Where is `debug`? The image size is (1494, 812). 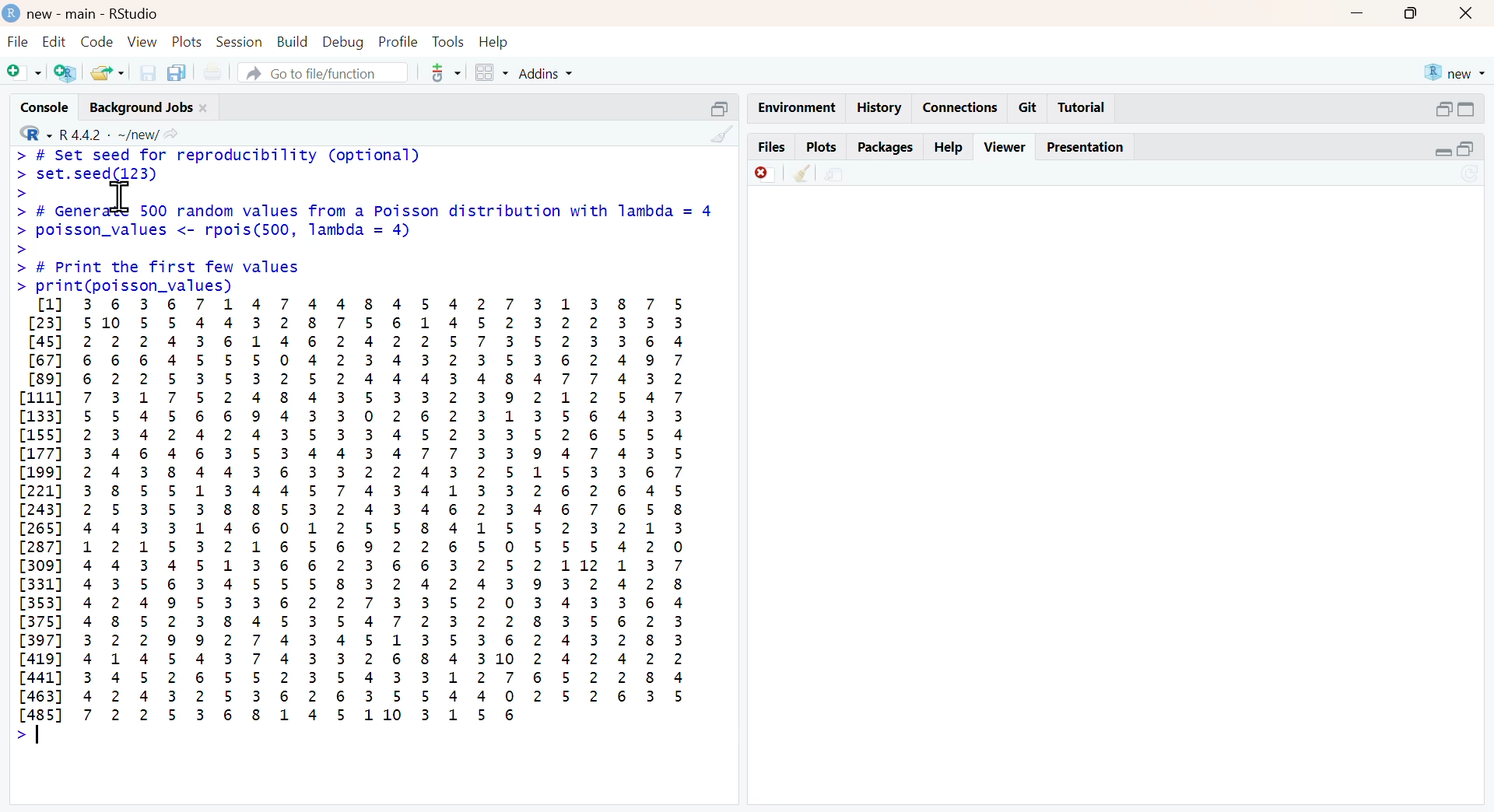
debug is located at coordinates (345, 42).